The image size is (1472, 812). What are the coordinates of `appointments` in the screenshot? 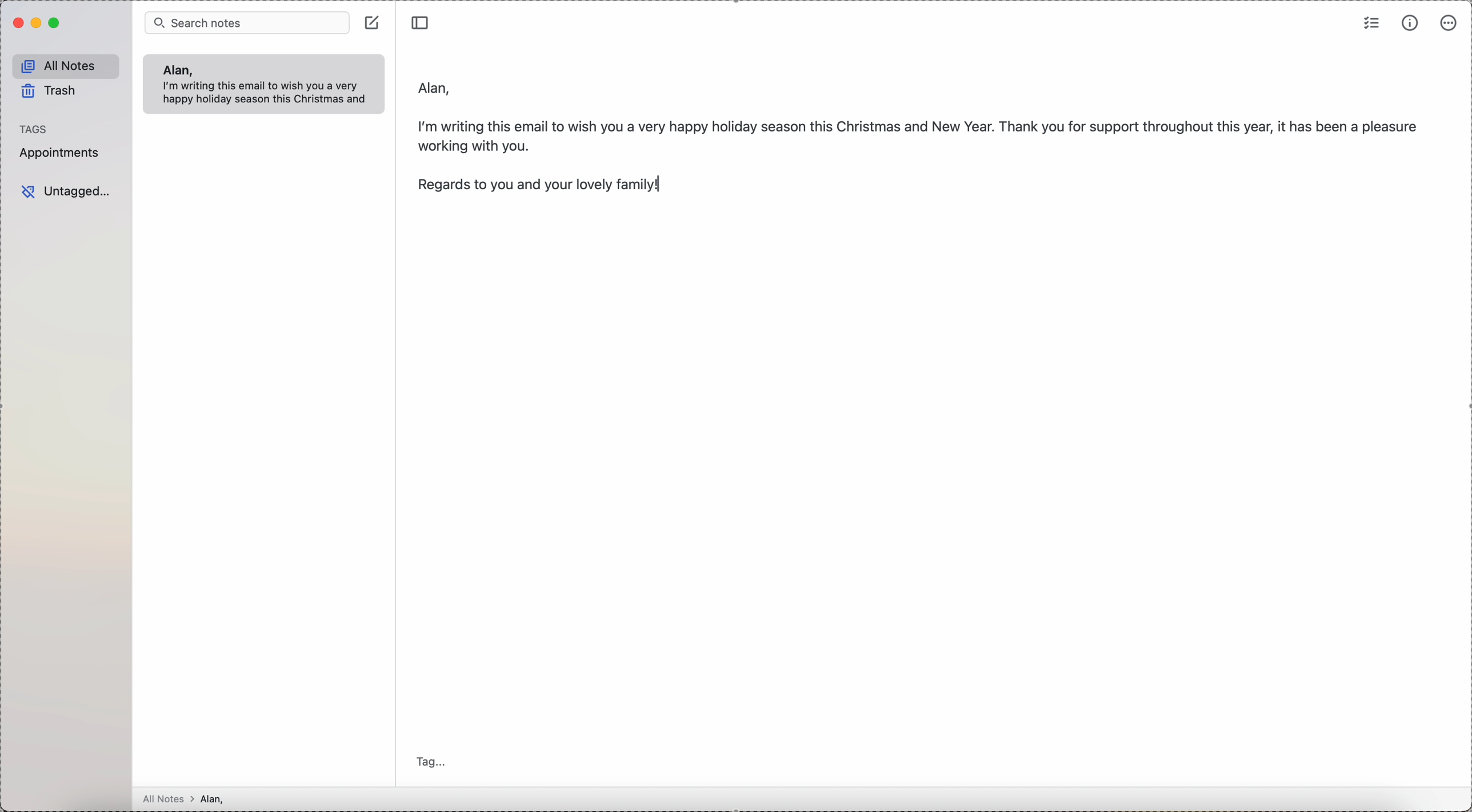 It's located at (62, 153).